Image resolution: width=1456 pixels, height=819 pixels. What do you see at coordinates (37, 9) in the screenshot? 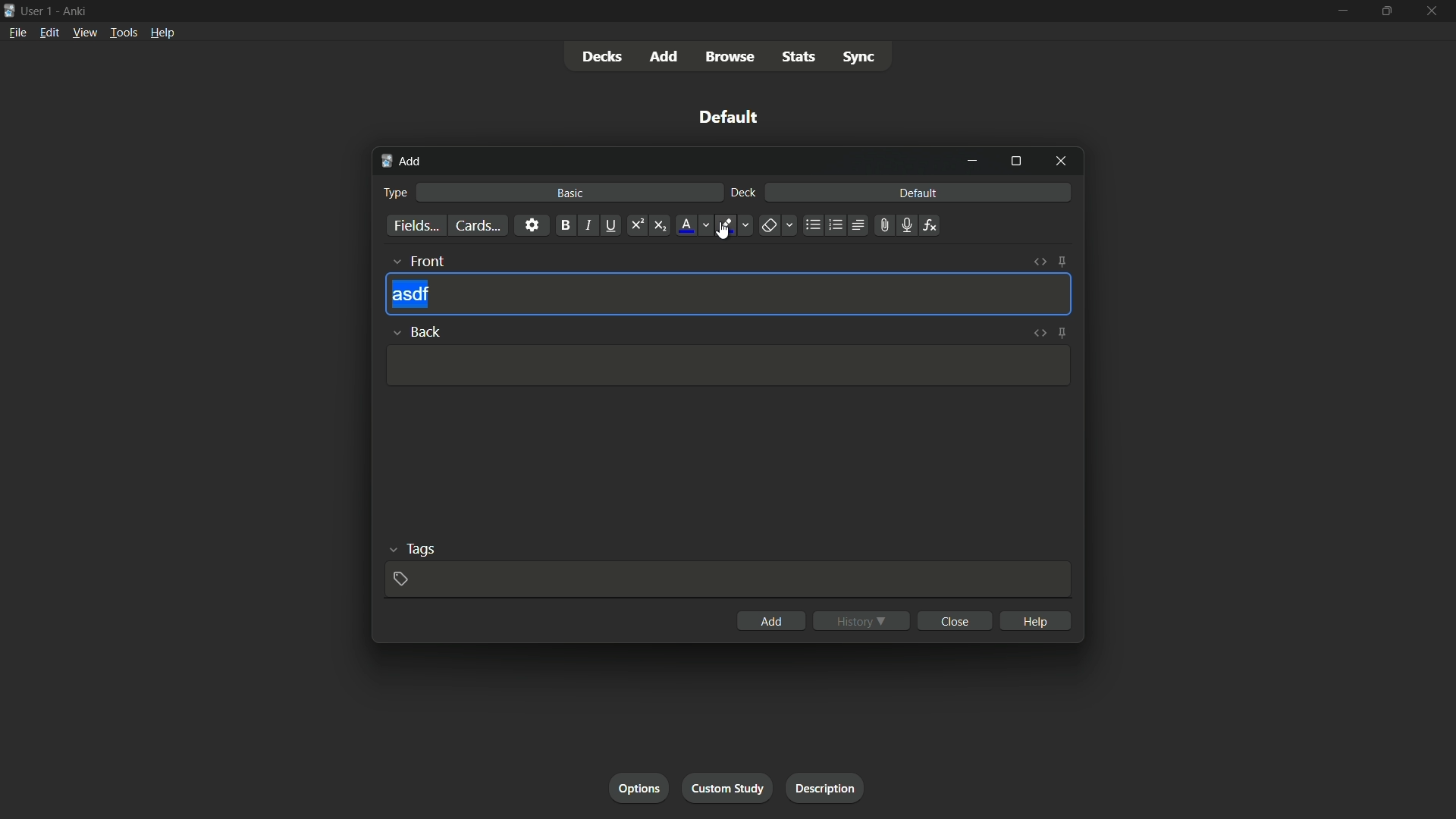
I see `user-1` at bounding box center [37, 9].